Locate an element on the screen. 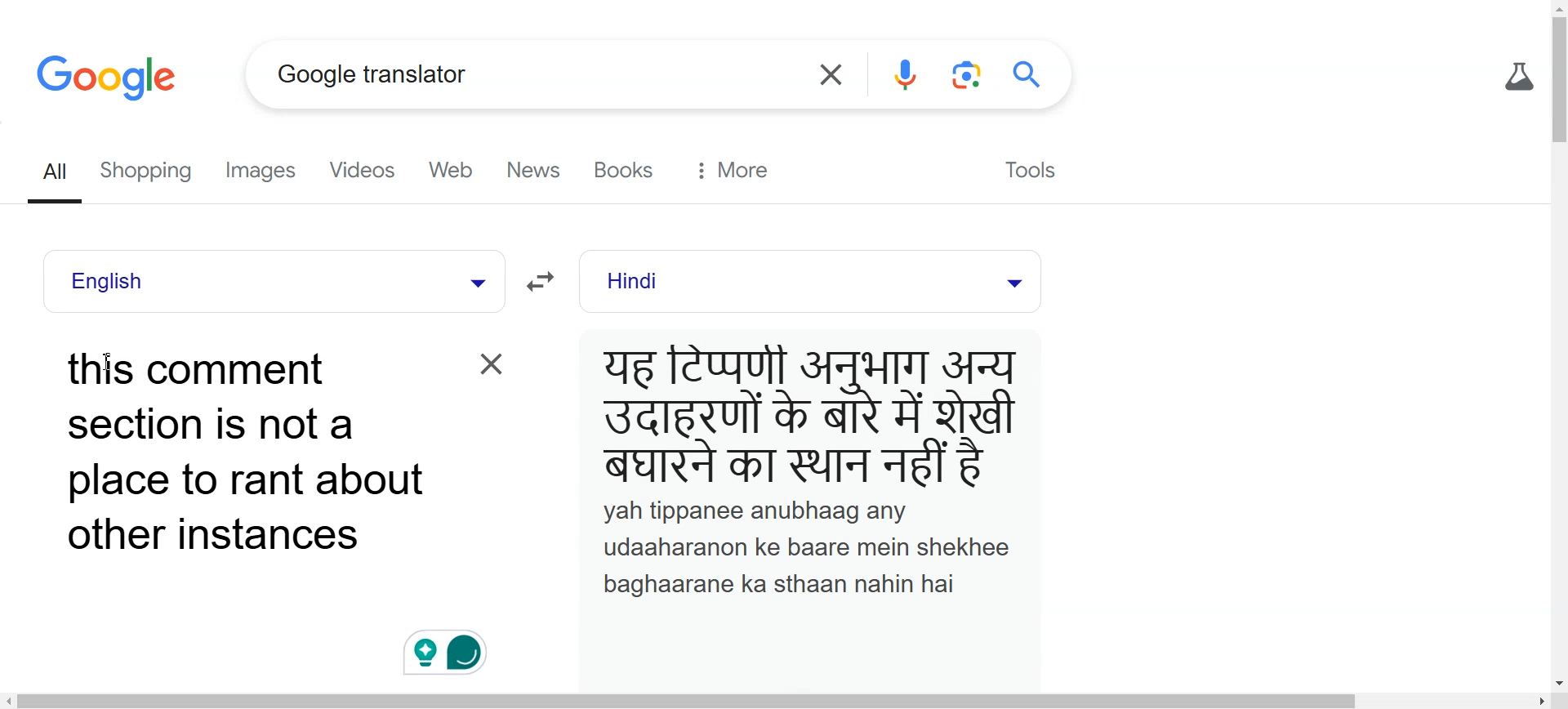 This screenshot has height=709, width=1568. Shopping is located at coordinates (152, 172).